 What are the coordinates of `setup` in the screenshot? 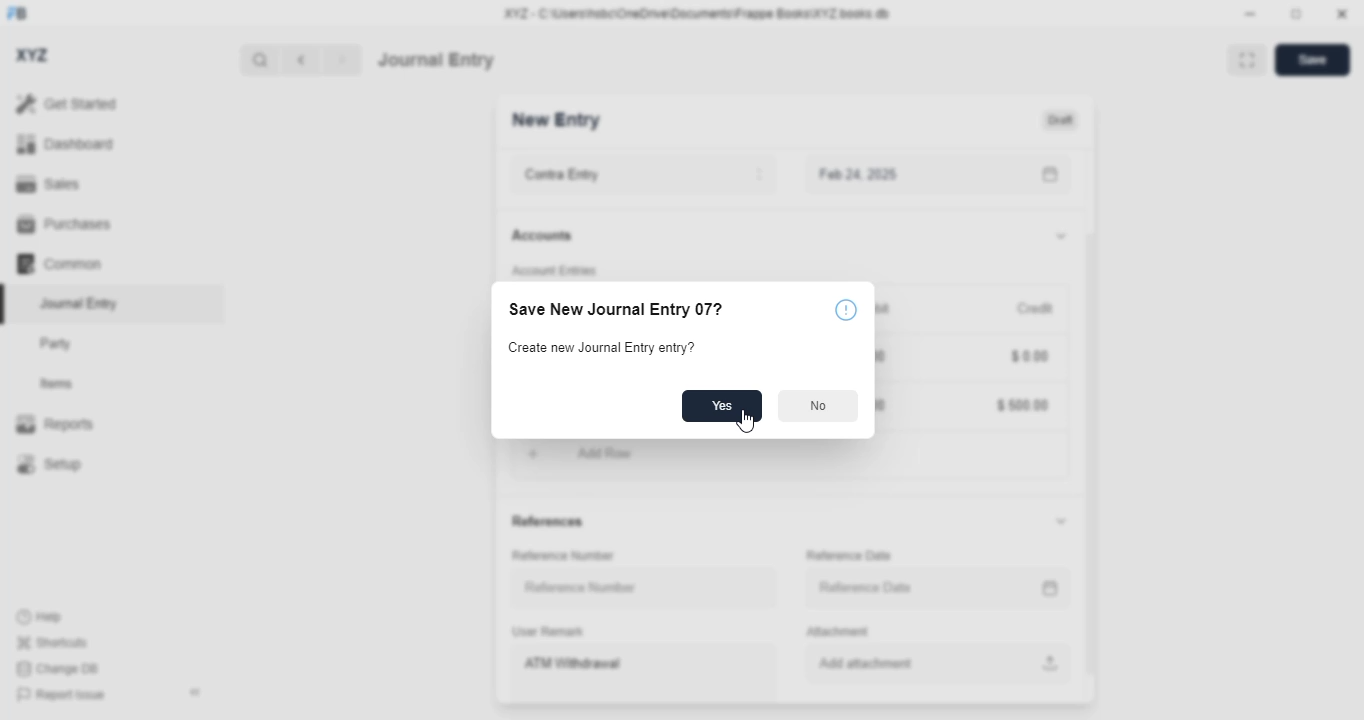 It's located at (49, 463).